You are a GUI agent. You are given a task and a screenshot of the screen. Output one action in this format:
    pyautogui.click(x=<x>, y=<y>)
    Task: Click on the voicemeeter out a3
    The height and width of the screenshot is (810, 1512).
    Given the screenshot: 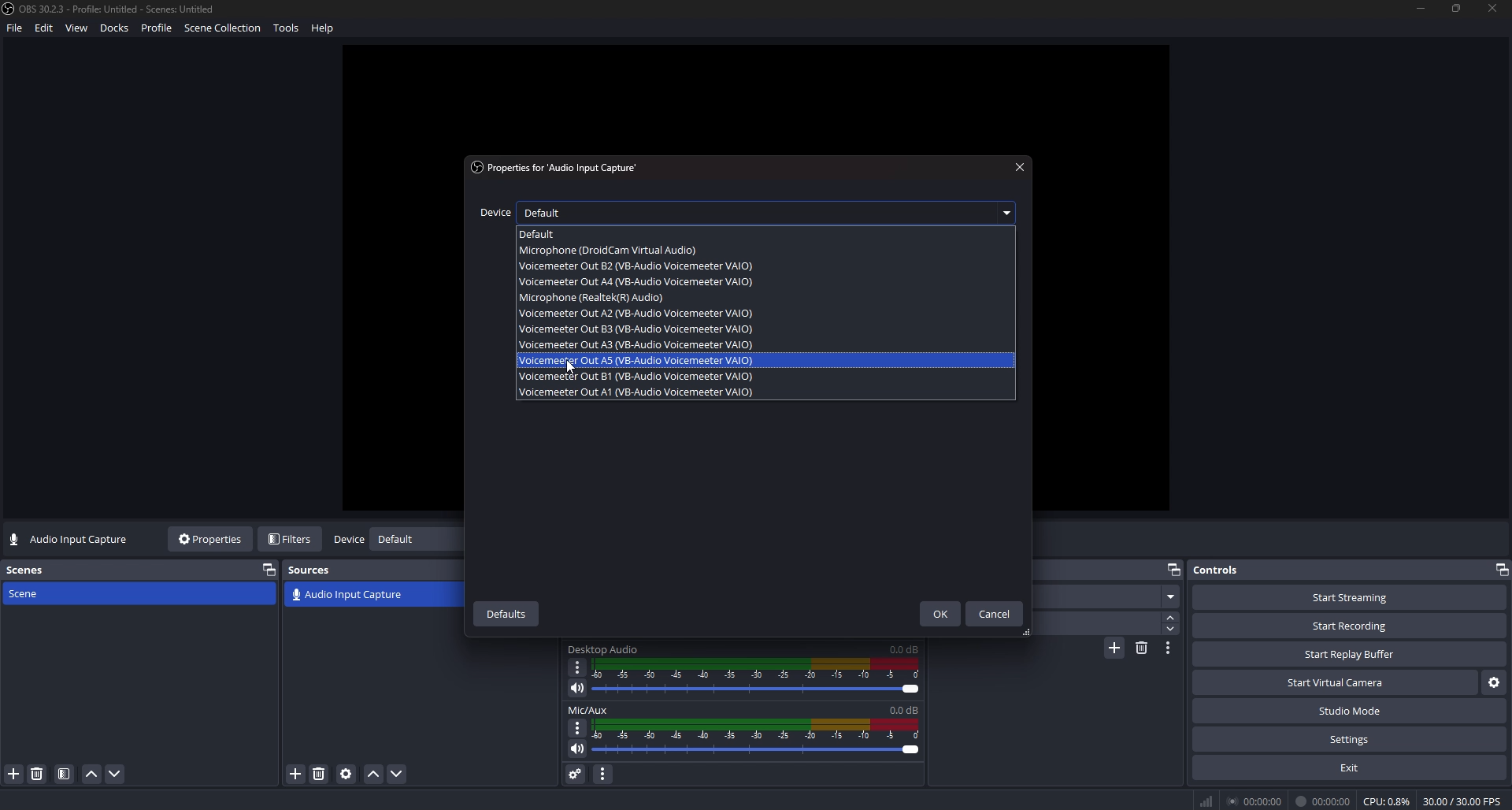 What is the action you would take?
    pyautogui.click(x=635, y=345)
    